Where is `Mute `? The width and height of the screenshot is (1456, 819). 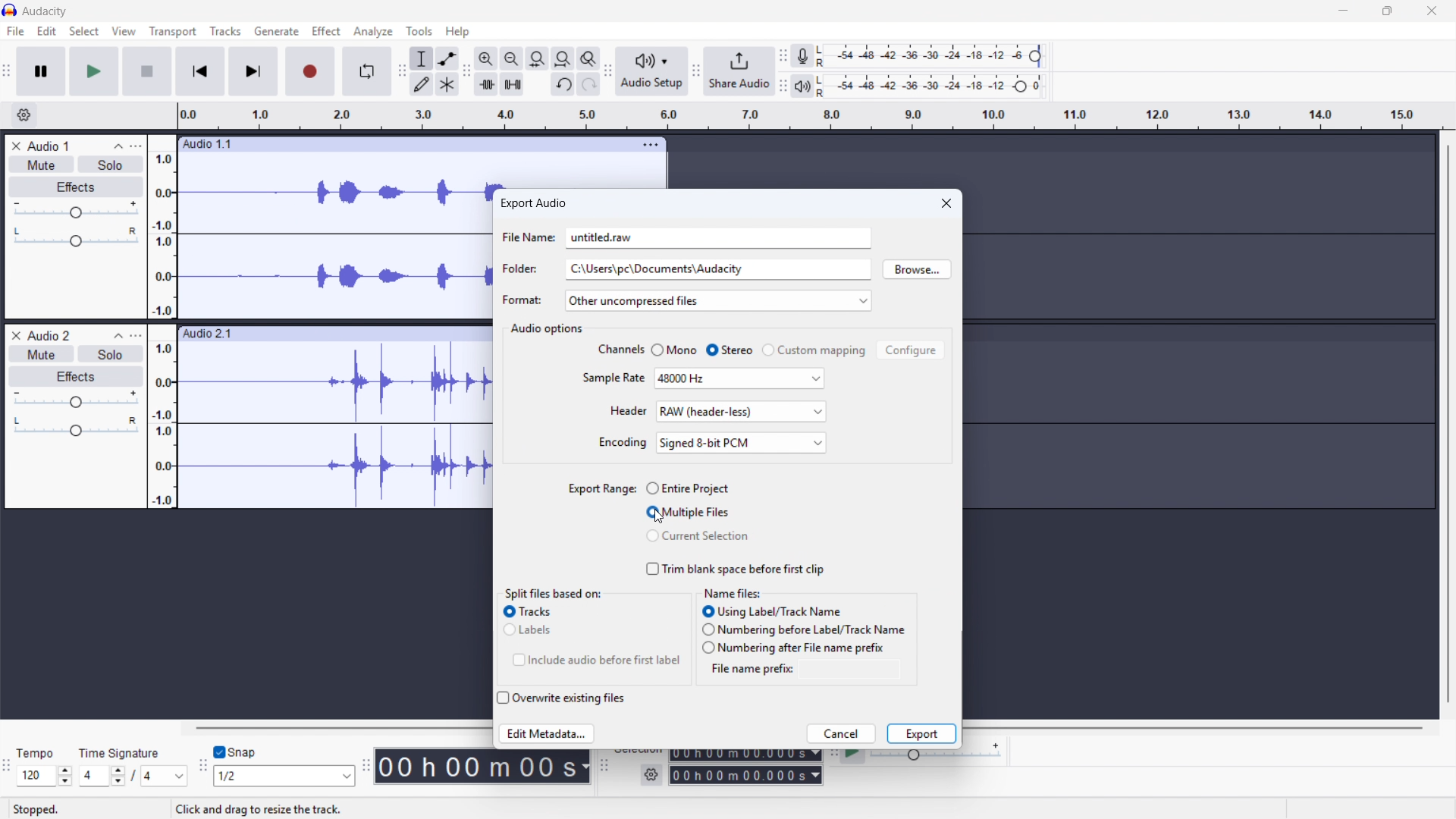 Mute  is located at coordinates (42, 165).